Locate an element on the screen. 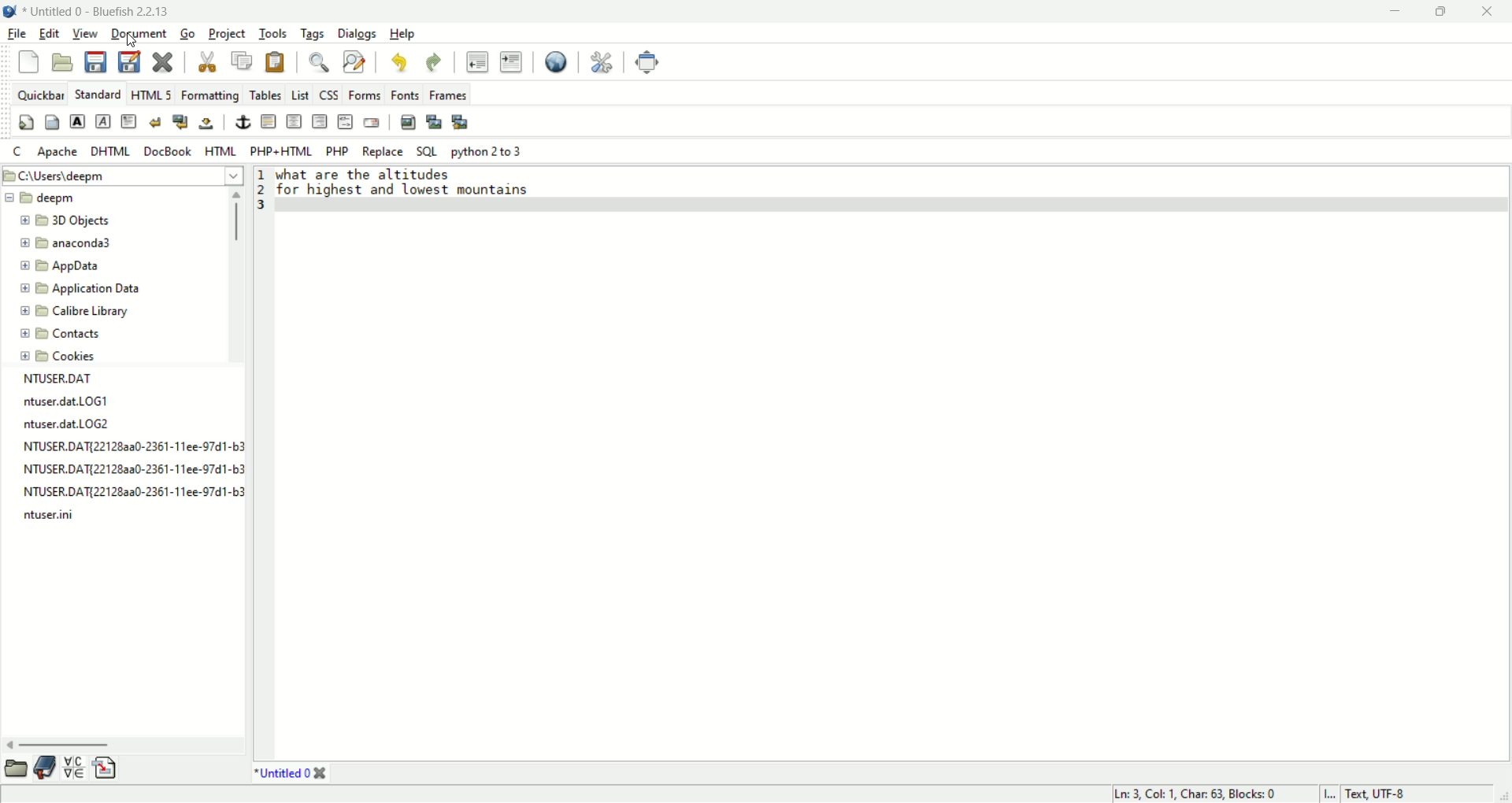  insert special character is located at coordinates (78, 766).